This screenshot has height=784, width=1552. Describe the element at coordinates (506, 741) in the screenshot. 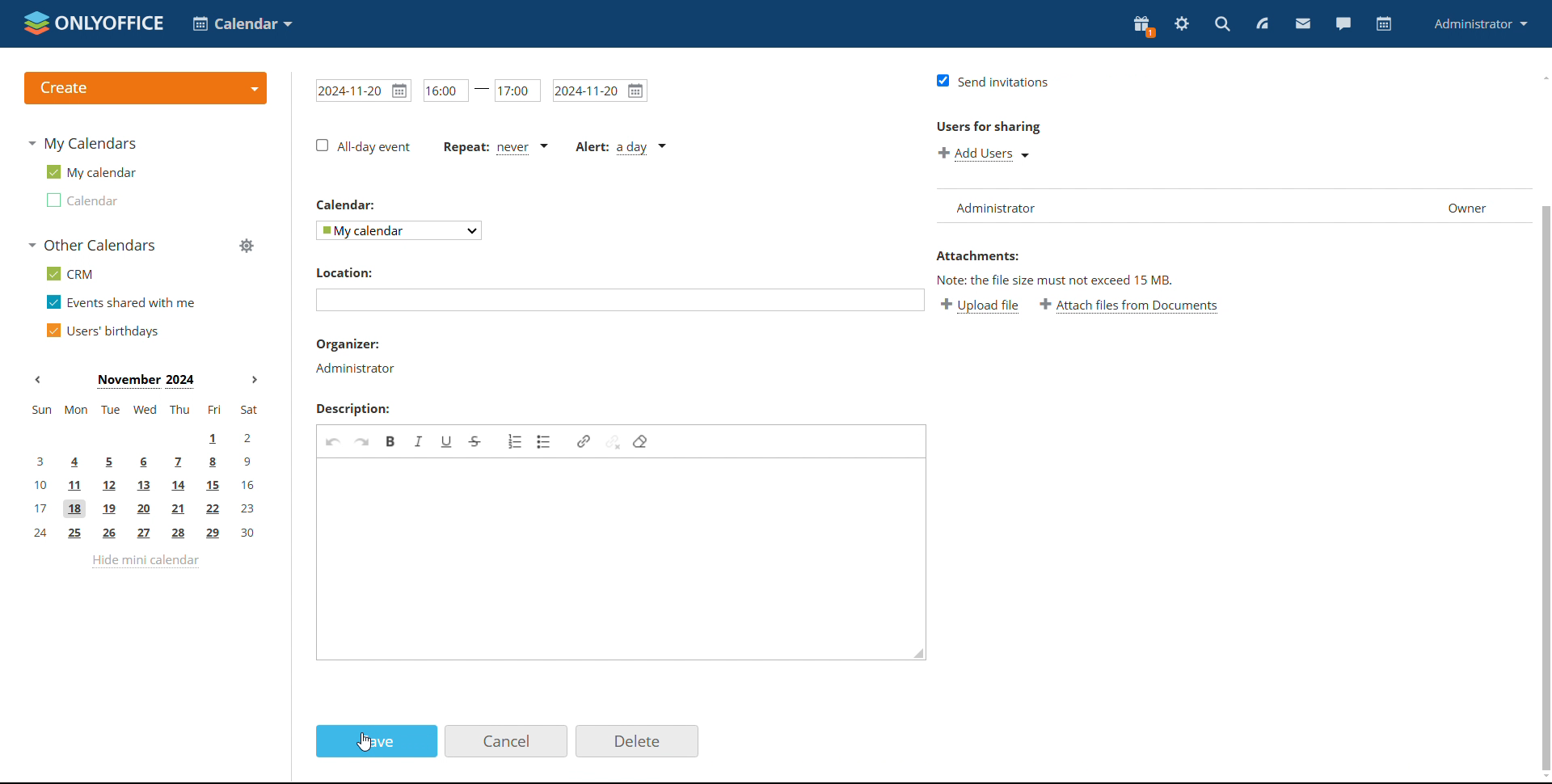

I see `cancel` at that location.